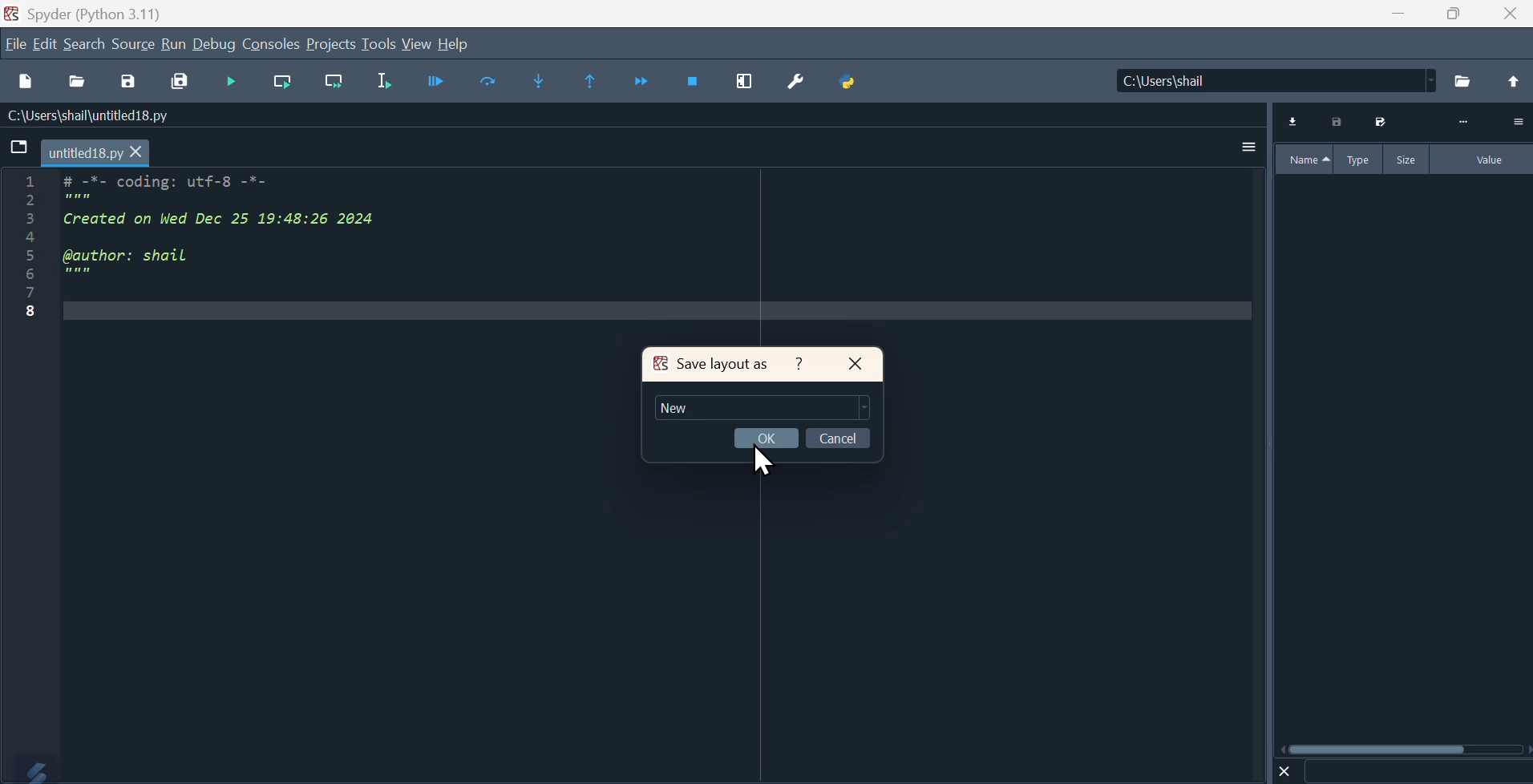 Image resolution: width=1533 pixels, height=784 pixels. I want to click on Logo, so click(30, 769).